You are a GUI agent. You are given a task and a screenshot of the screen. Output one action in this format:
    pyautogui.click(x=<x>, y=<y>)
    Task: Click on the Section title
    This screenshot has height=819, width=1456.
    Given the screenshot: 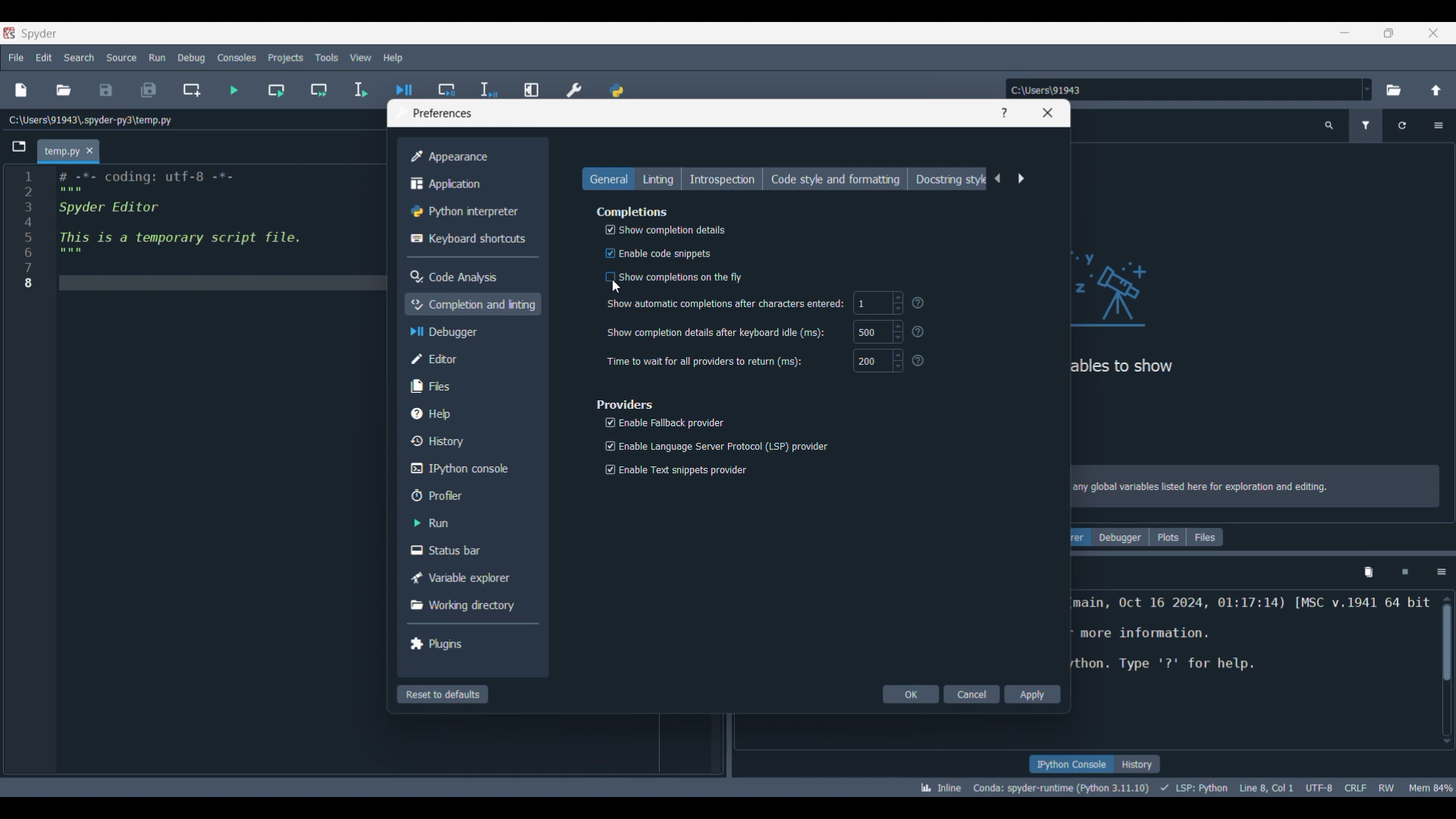 What is the action you would take?
    pyautogui.click(x=633, y=212)
    